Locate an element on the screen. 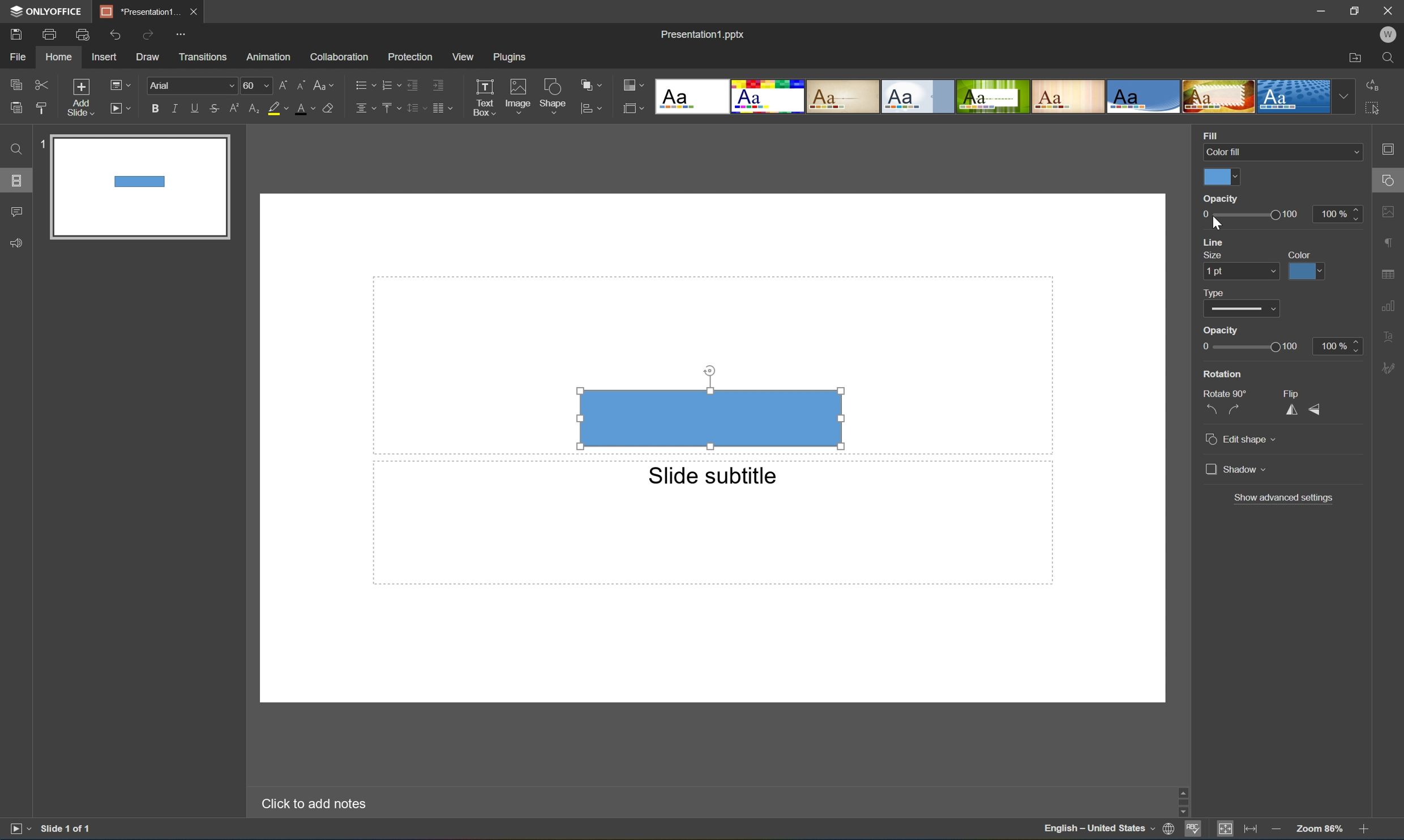 This screenshot has height=840, width=1404. chart settings is located at coordinates (1390, 307).